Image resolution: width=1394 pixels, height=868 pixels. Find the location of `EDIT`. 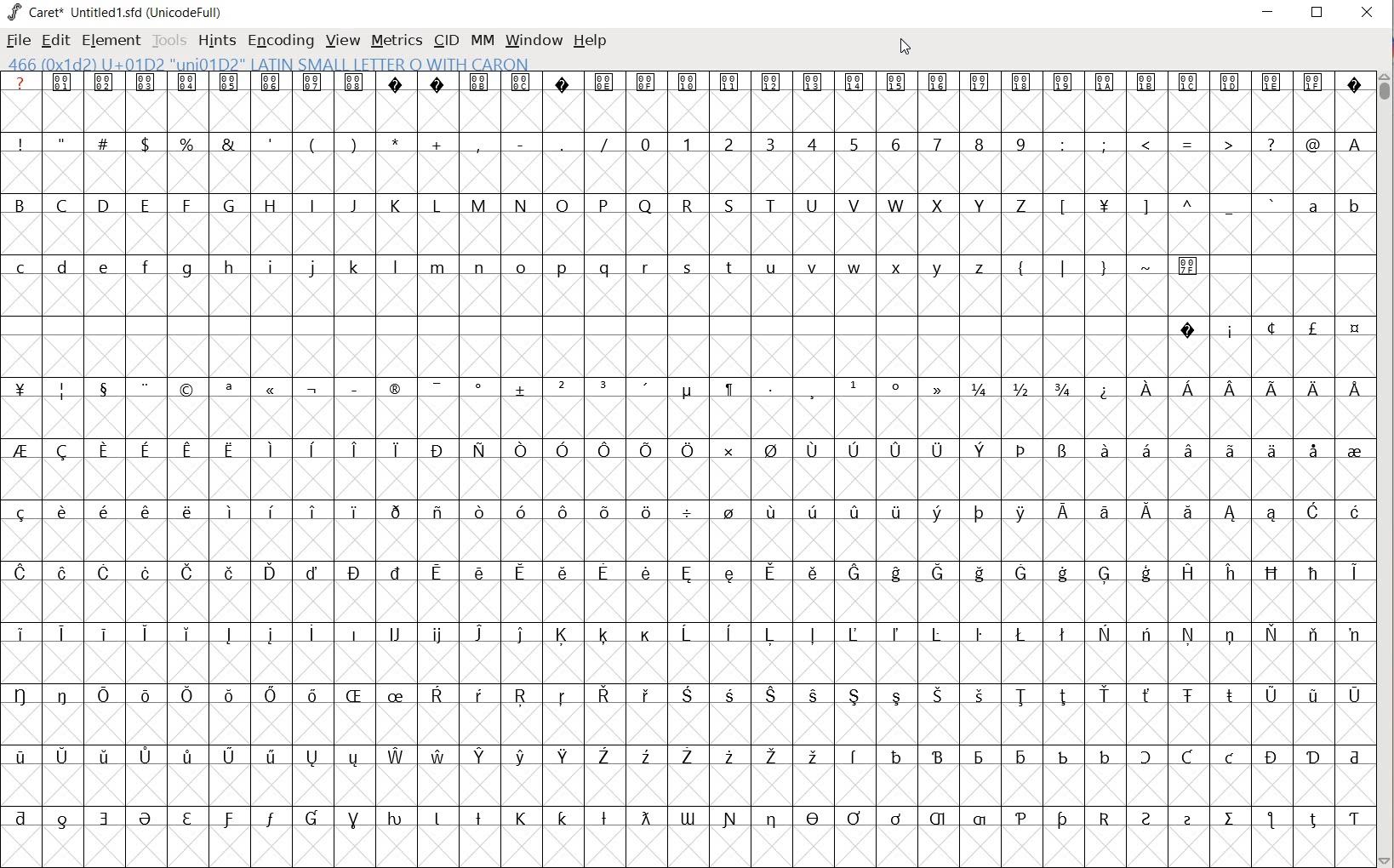

EDIT is located at coordinates (57, 41).